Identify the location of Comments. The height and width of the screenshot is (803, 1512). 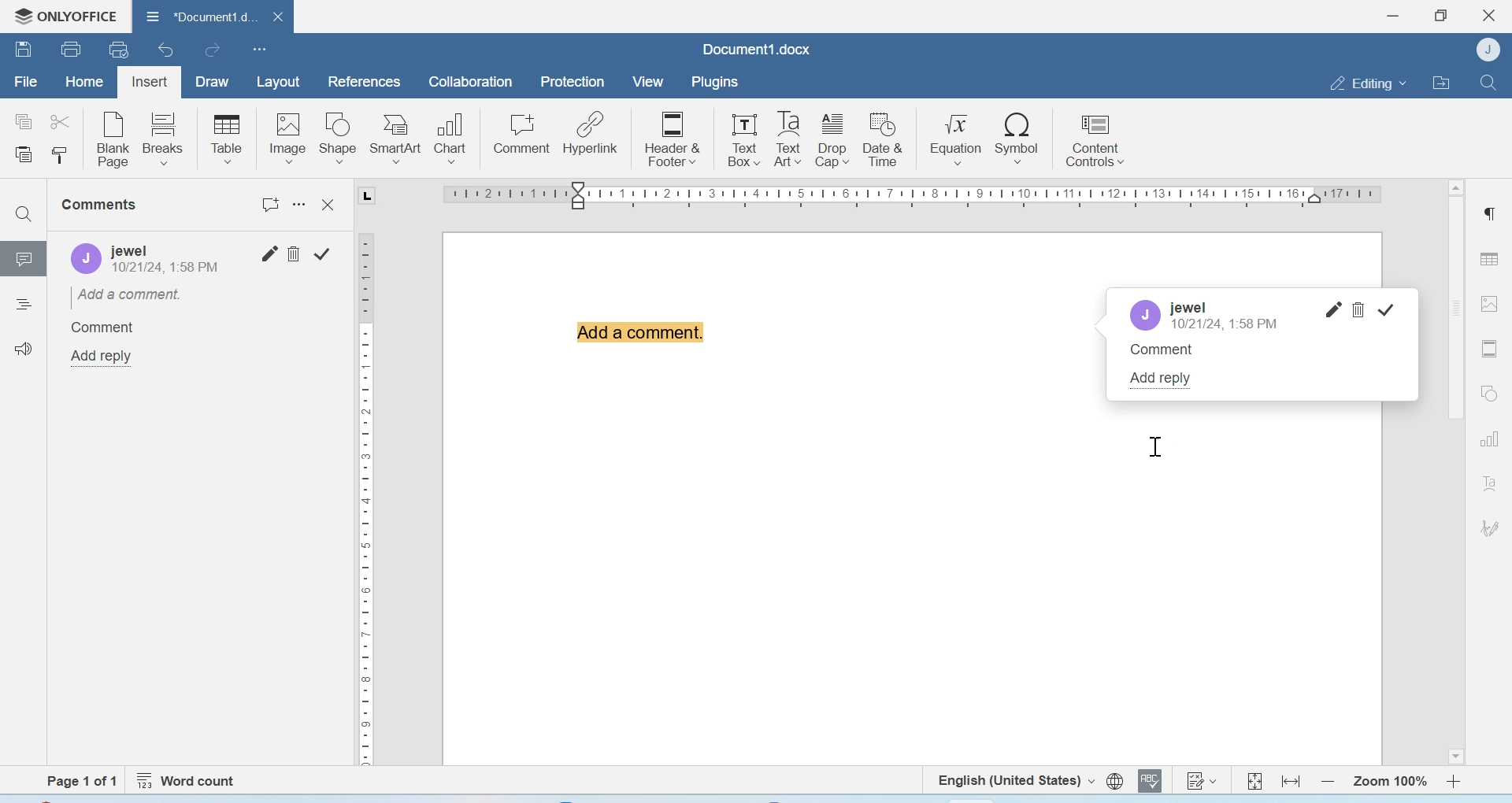
(102, 205).